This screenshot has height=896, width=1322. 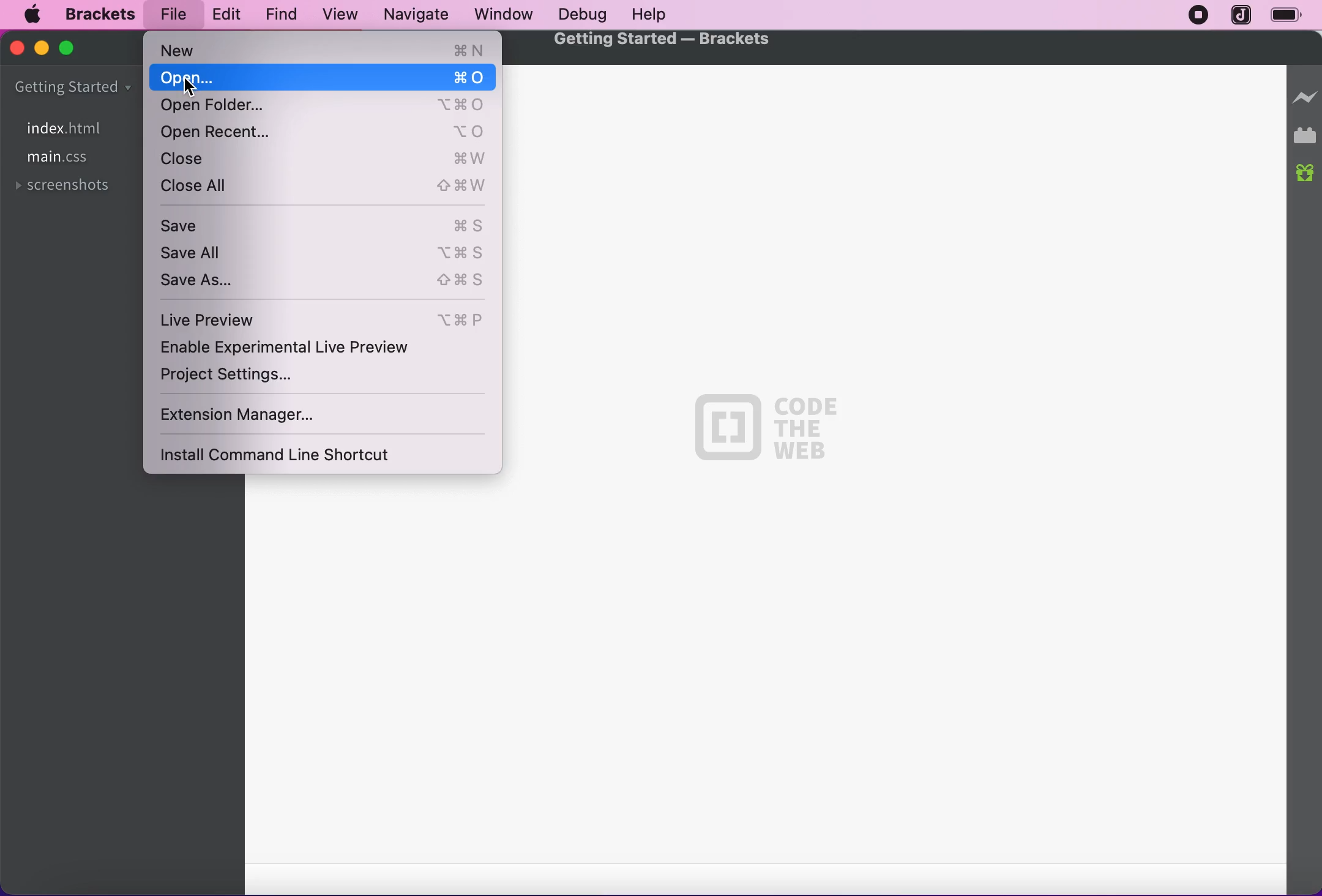 What do you see at coordinates (1306, 136) in the screenshot?
I see `extensions manager` at bounding box center [1306, 136].